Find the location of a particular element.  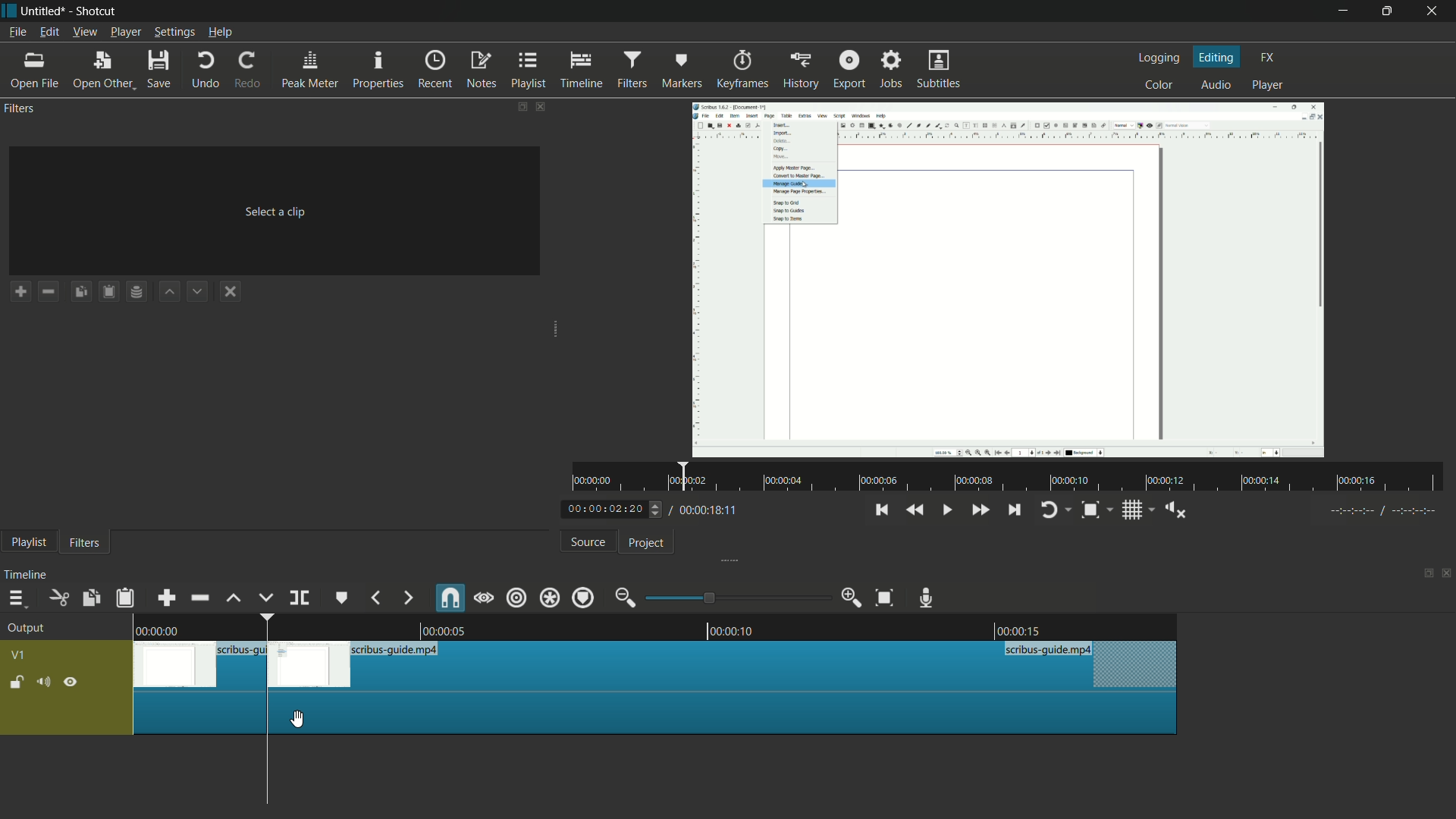

color is located at coordinates (1159, 83).